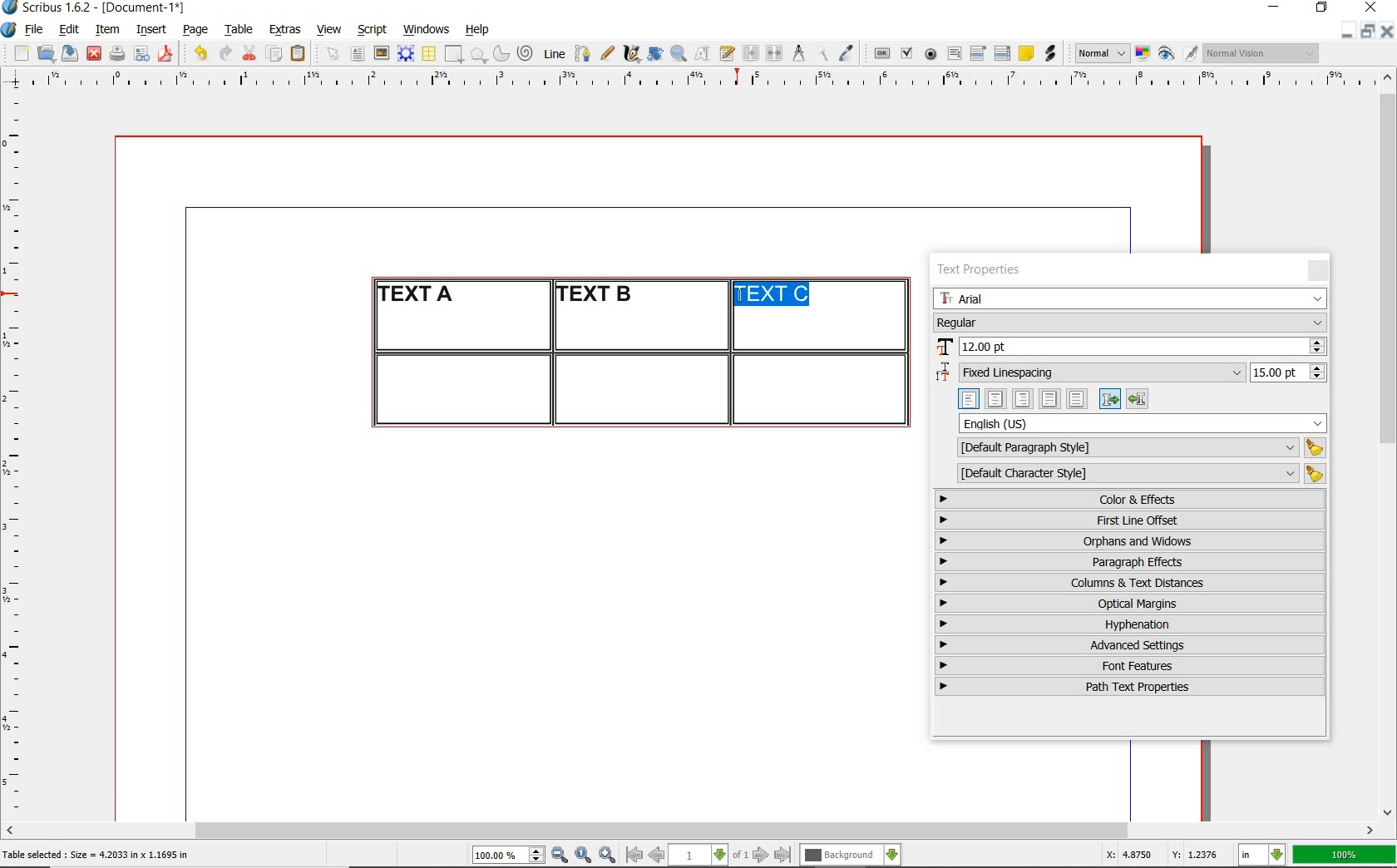 Image resolution: width=1397 pixels, height=868 pixels. What do you see at coordinates (224, 52) in the screenshot?
I see `redo` at bounding box center [224, 52].